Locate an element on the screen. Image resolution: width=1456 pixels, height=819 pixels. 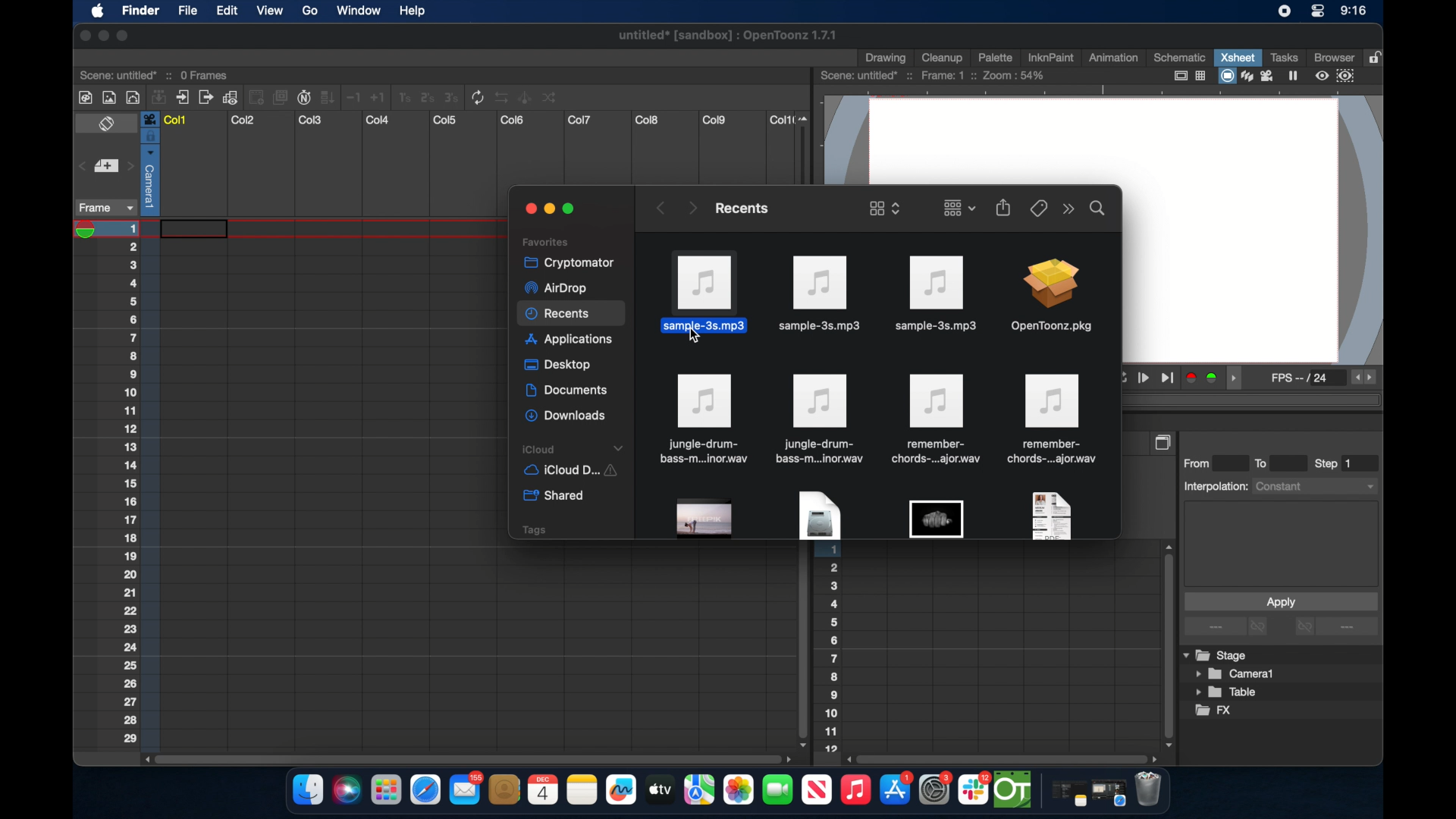
obscure icon is located at coordinates (705, 519).